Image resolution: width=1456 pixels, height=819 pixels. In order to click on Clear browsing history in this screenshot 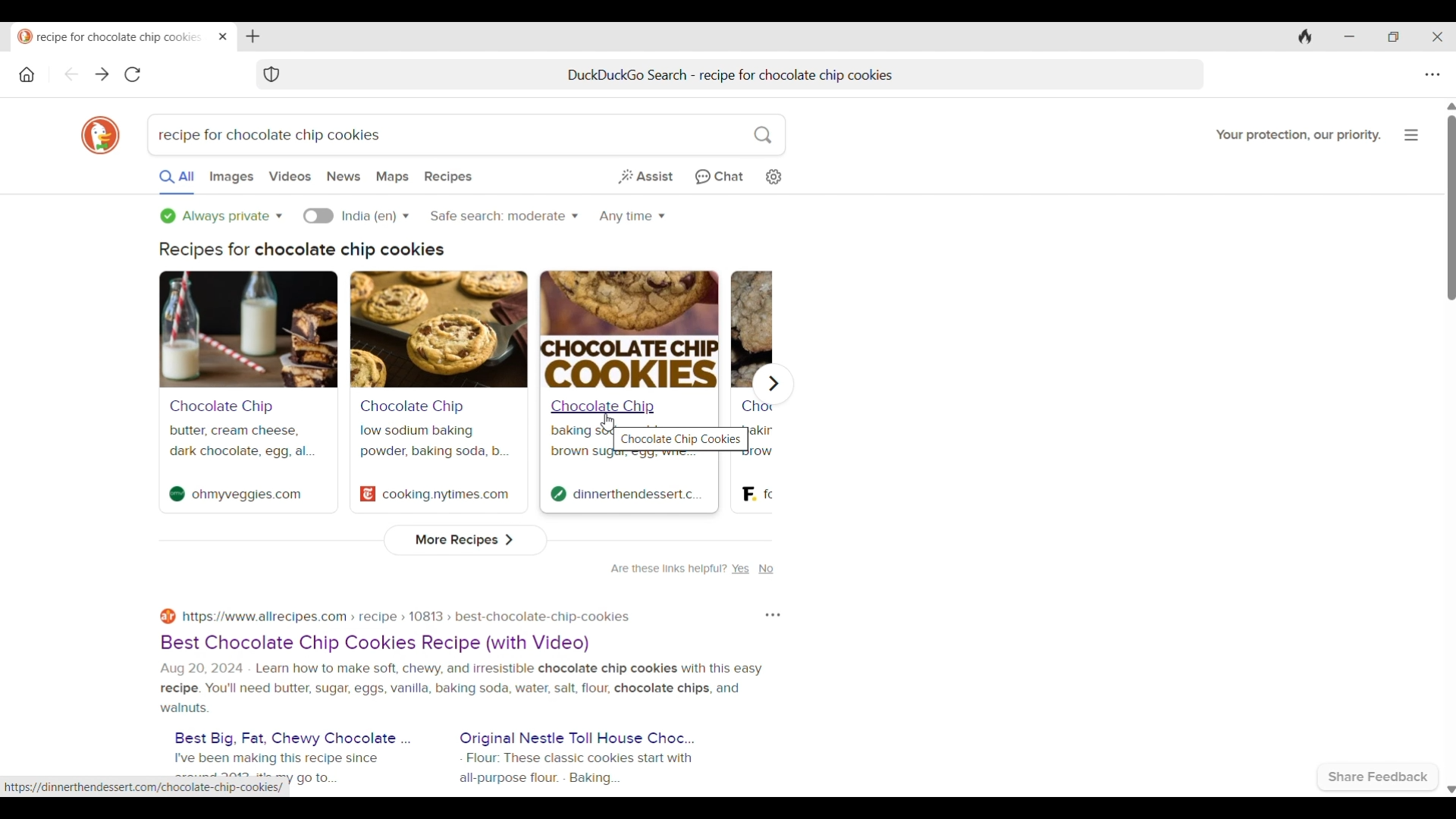, I will do `click(1302, 38)`.